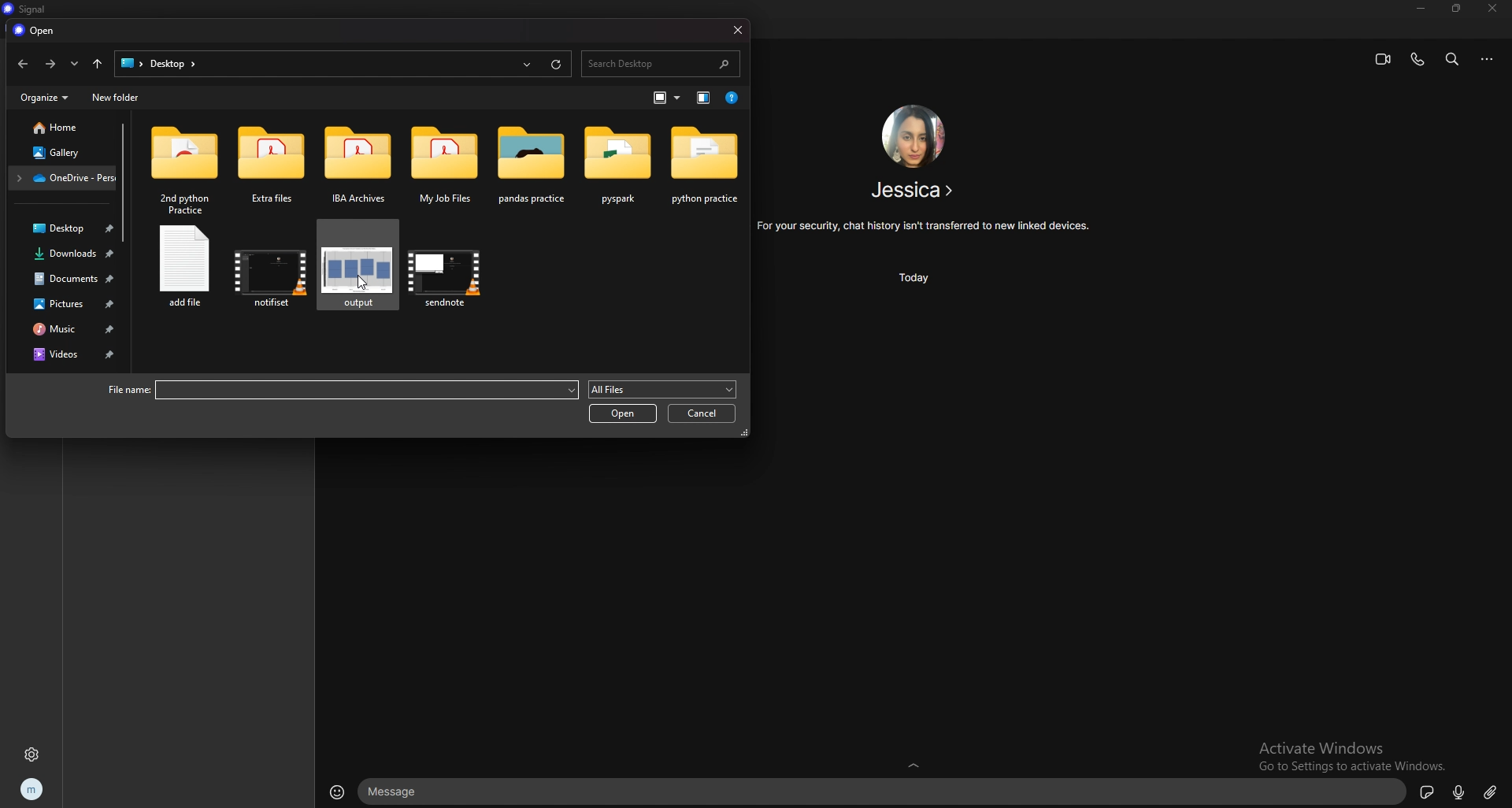 Image resolution: width=1512 pixels, height=808 pixels. Describe the element at coordinates (880, 791) in the screenshot. I see `text input box` at that location.